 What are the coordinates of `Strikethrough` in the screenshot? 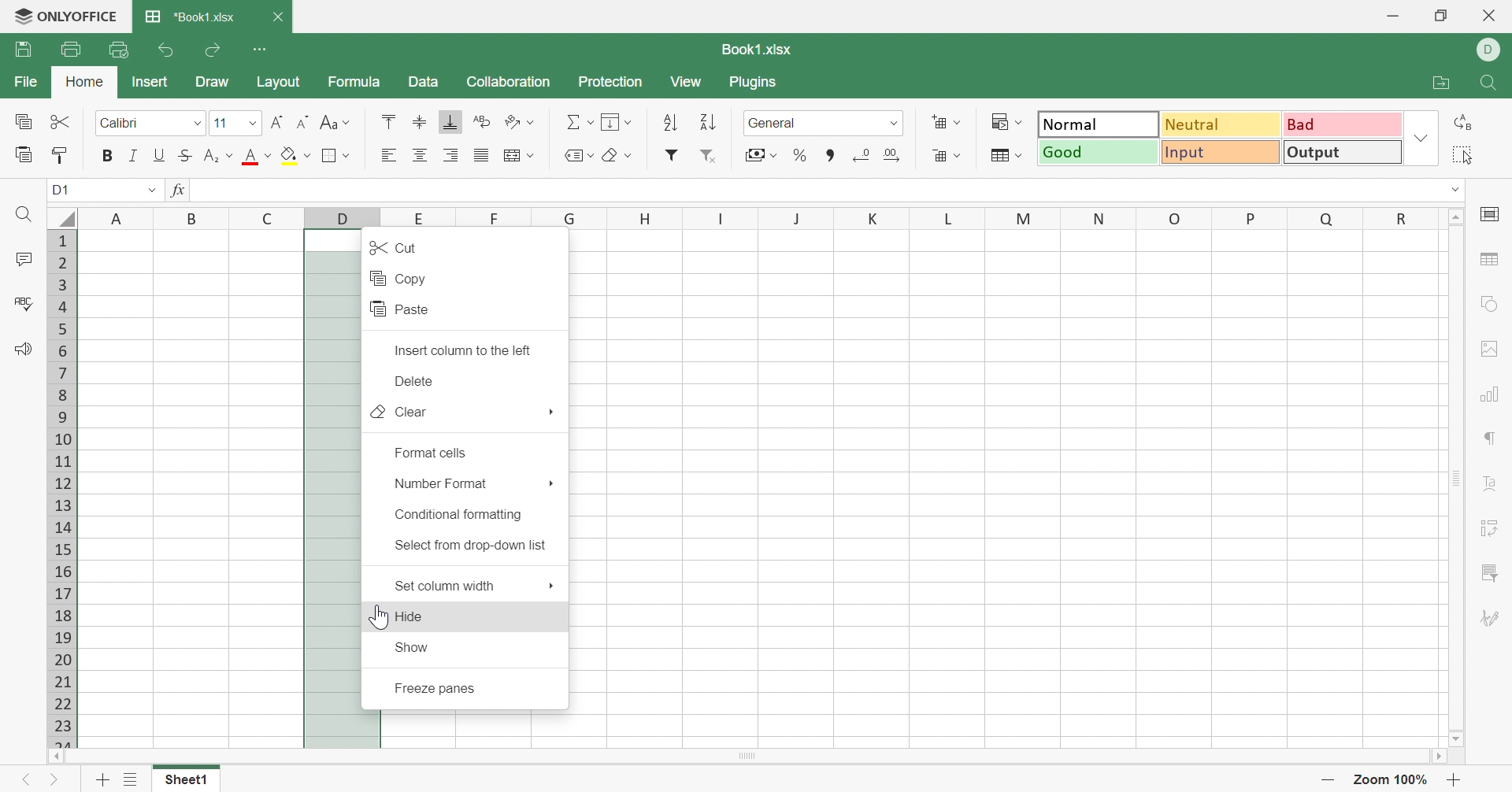 It's located at (187, 156).